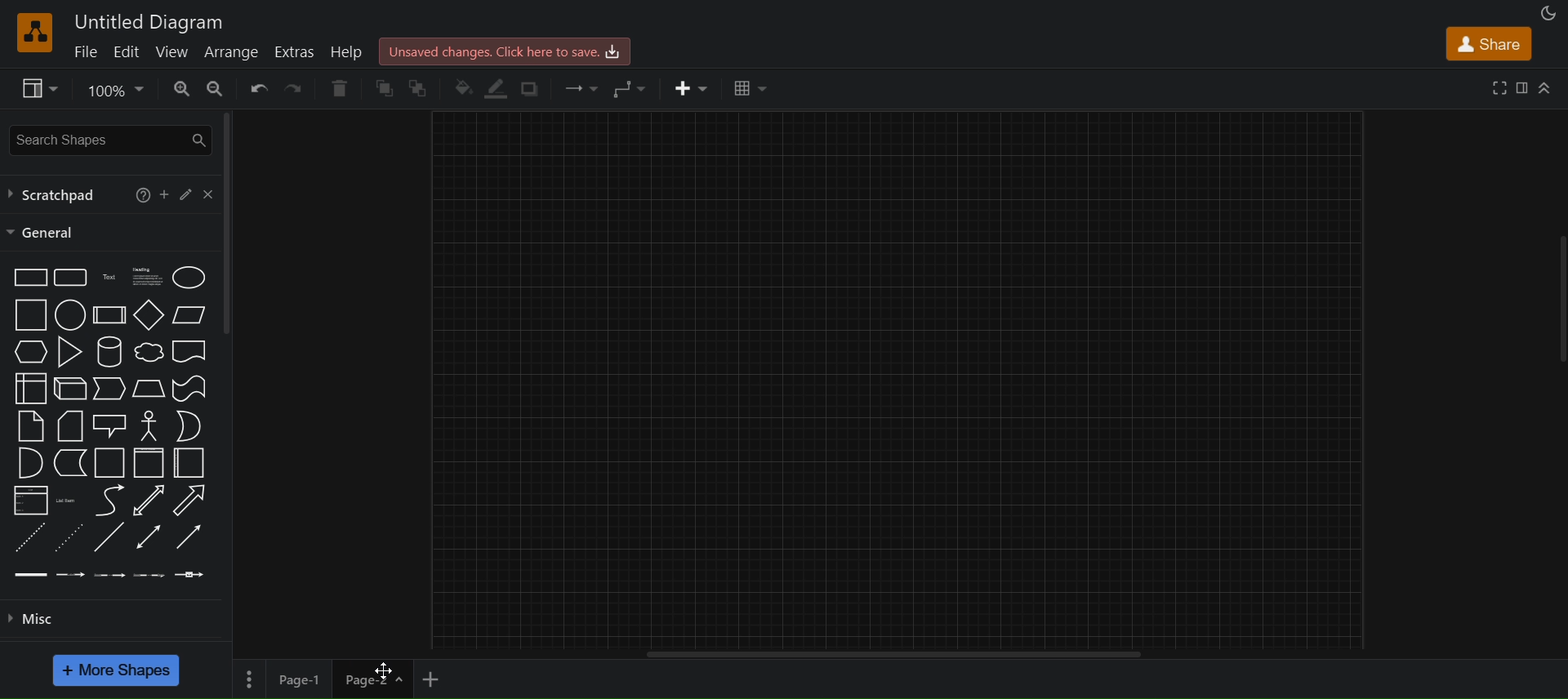 Image resolution: width=1568 pixels, height=699 pixels. What do you see at coordinates (85, 52) in the screenshot?
I see `file` at bounding box center [85, 52].